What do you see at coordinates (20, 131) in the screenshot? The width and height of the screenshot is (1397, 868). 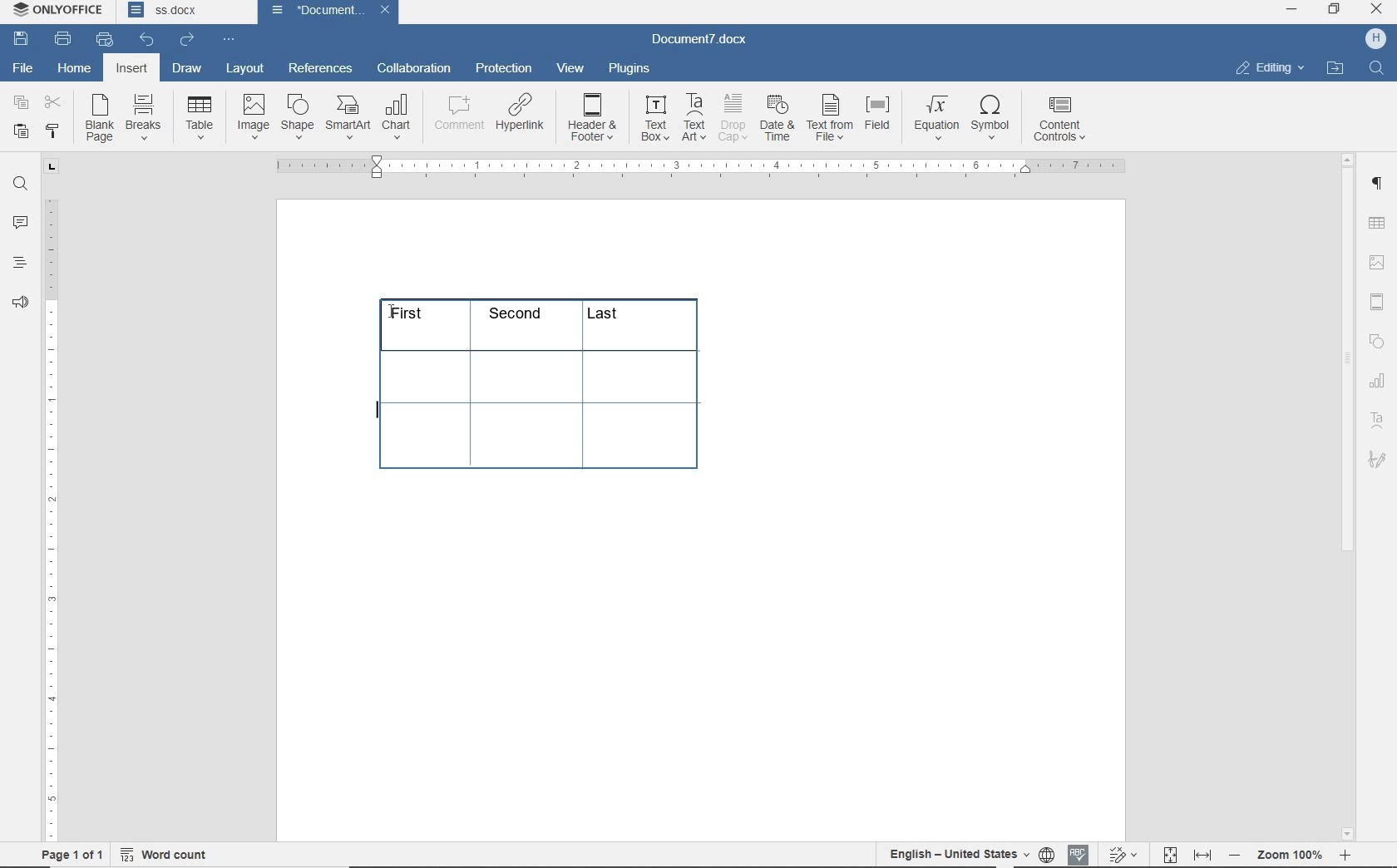 I see `paste` at bounding box center [20, 131].